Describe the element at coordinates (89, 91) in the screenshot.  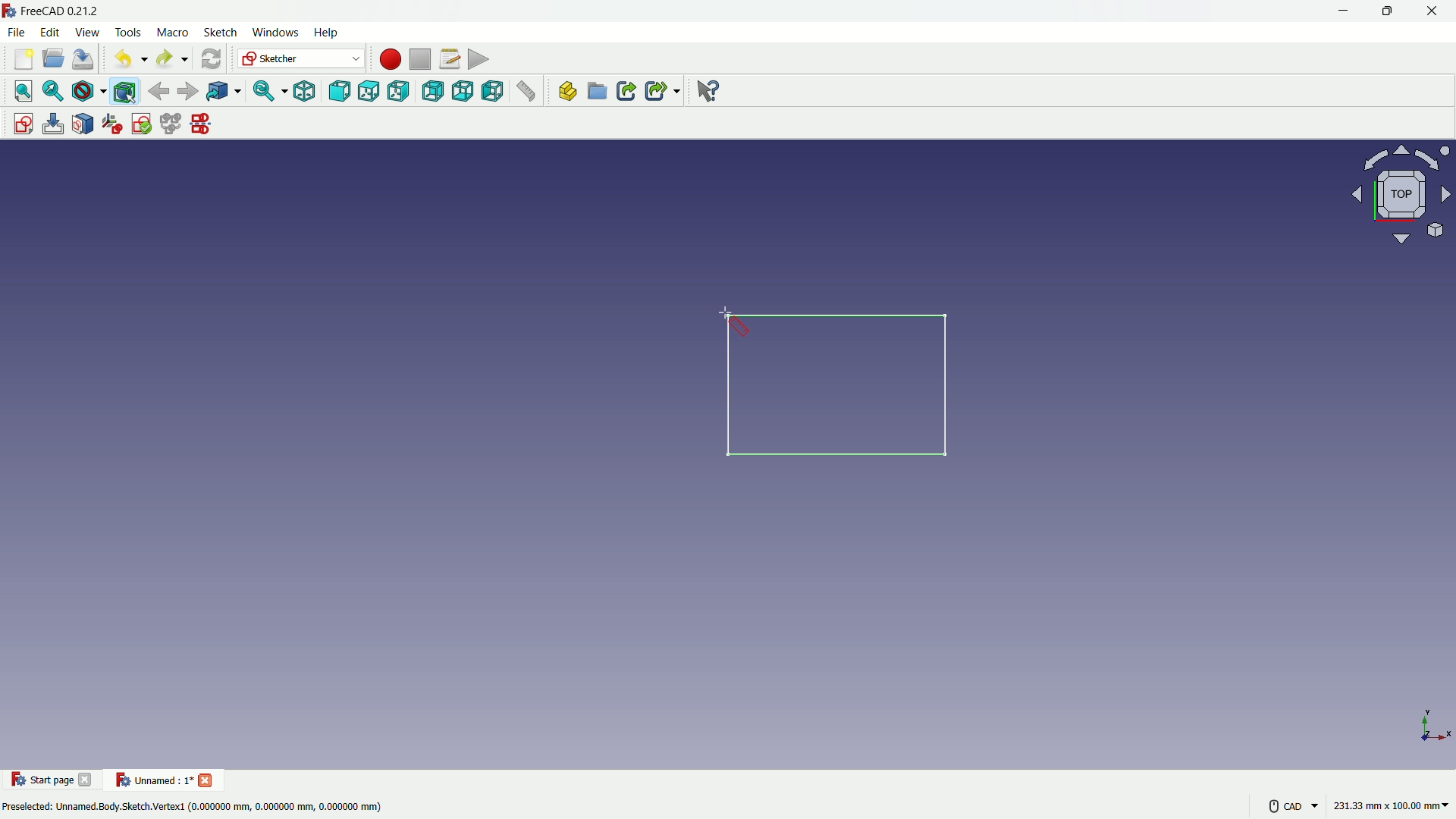
I see `draw style` at that location.